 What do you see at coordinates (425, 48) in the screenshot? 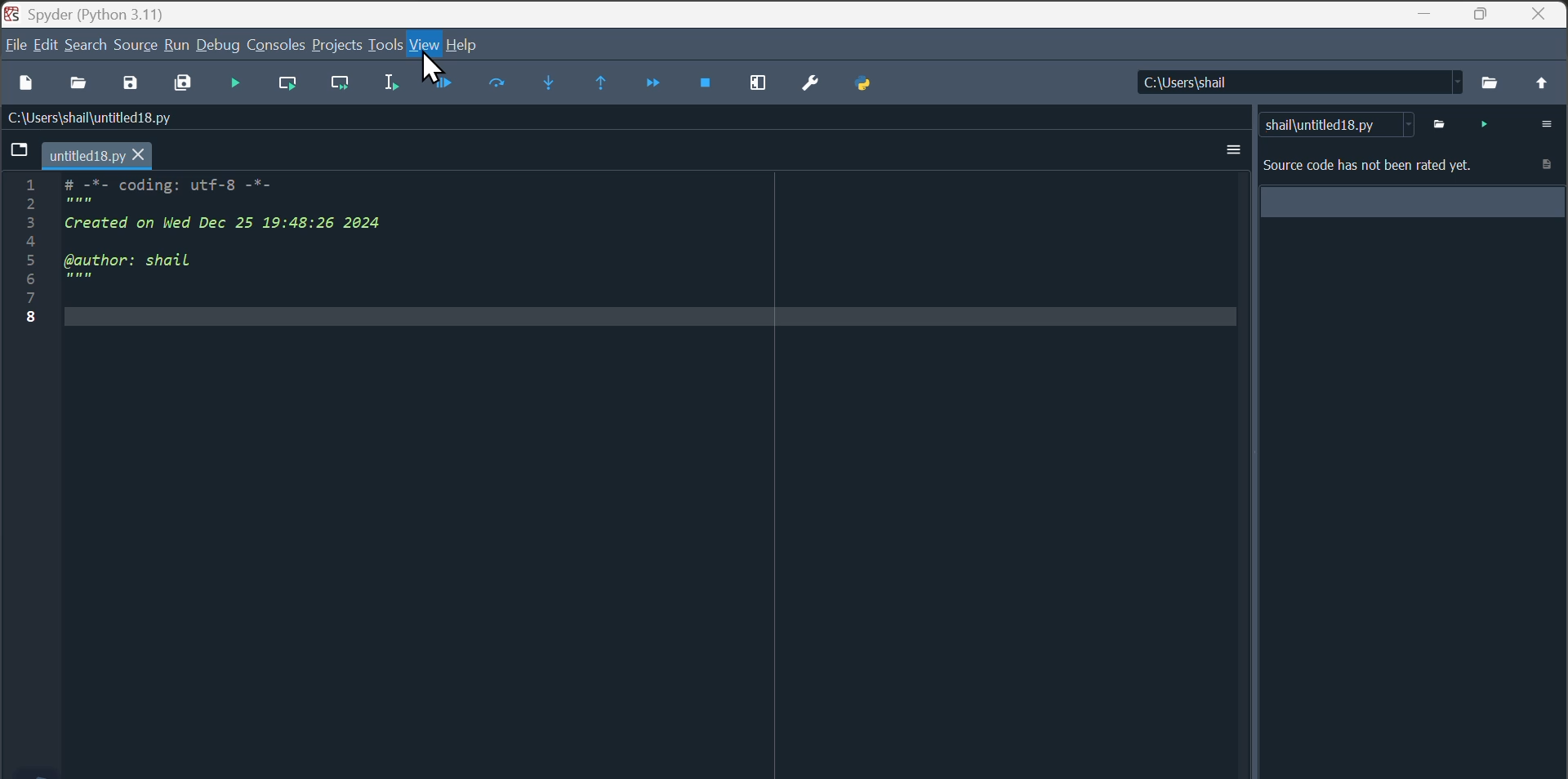
I see `View` at bounding box center [425, 48].